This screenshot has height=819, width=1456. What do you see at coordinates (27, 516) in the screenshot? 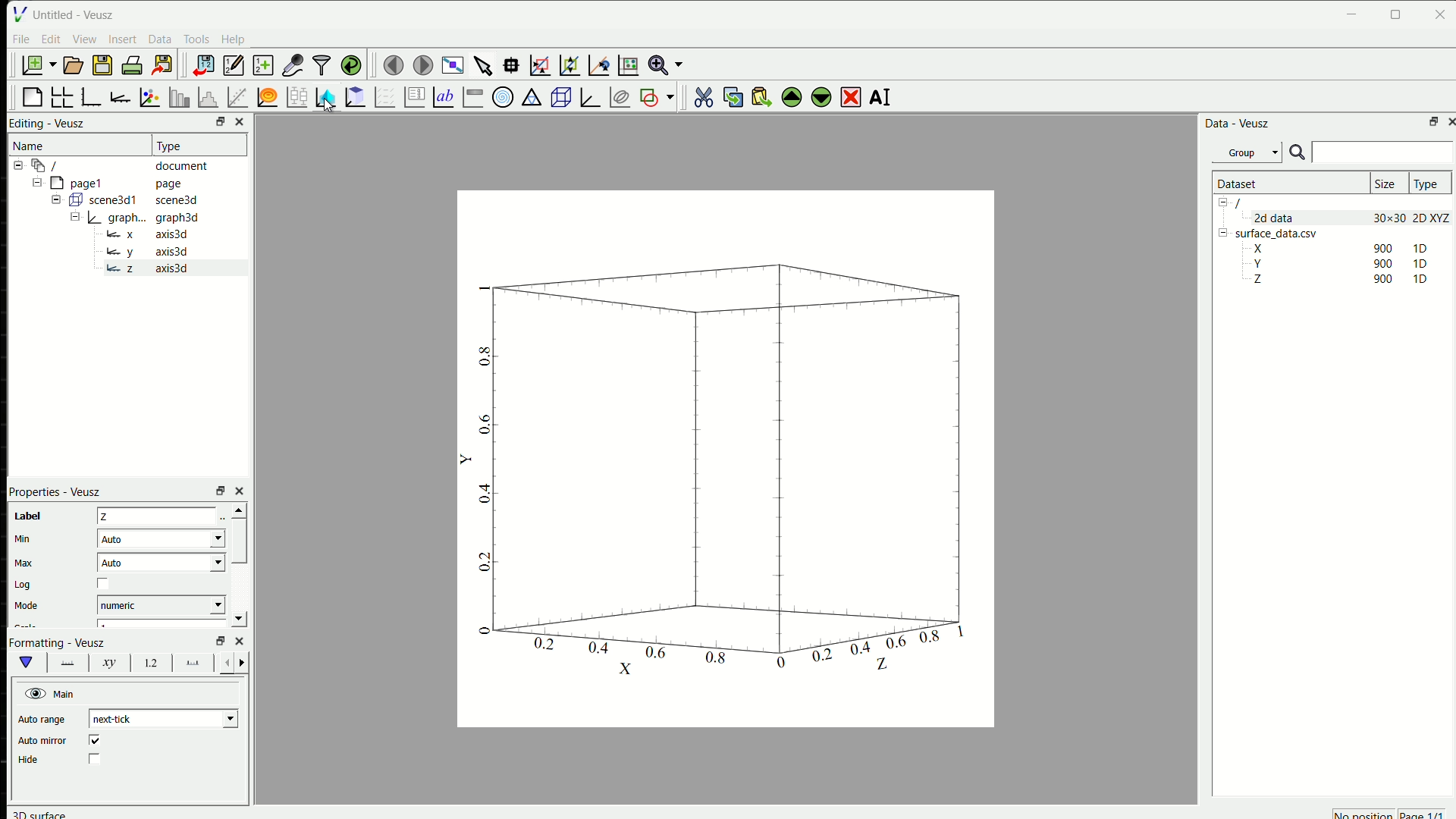
I see `label` at bounding box center [27, 516].